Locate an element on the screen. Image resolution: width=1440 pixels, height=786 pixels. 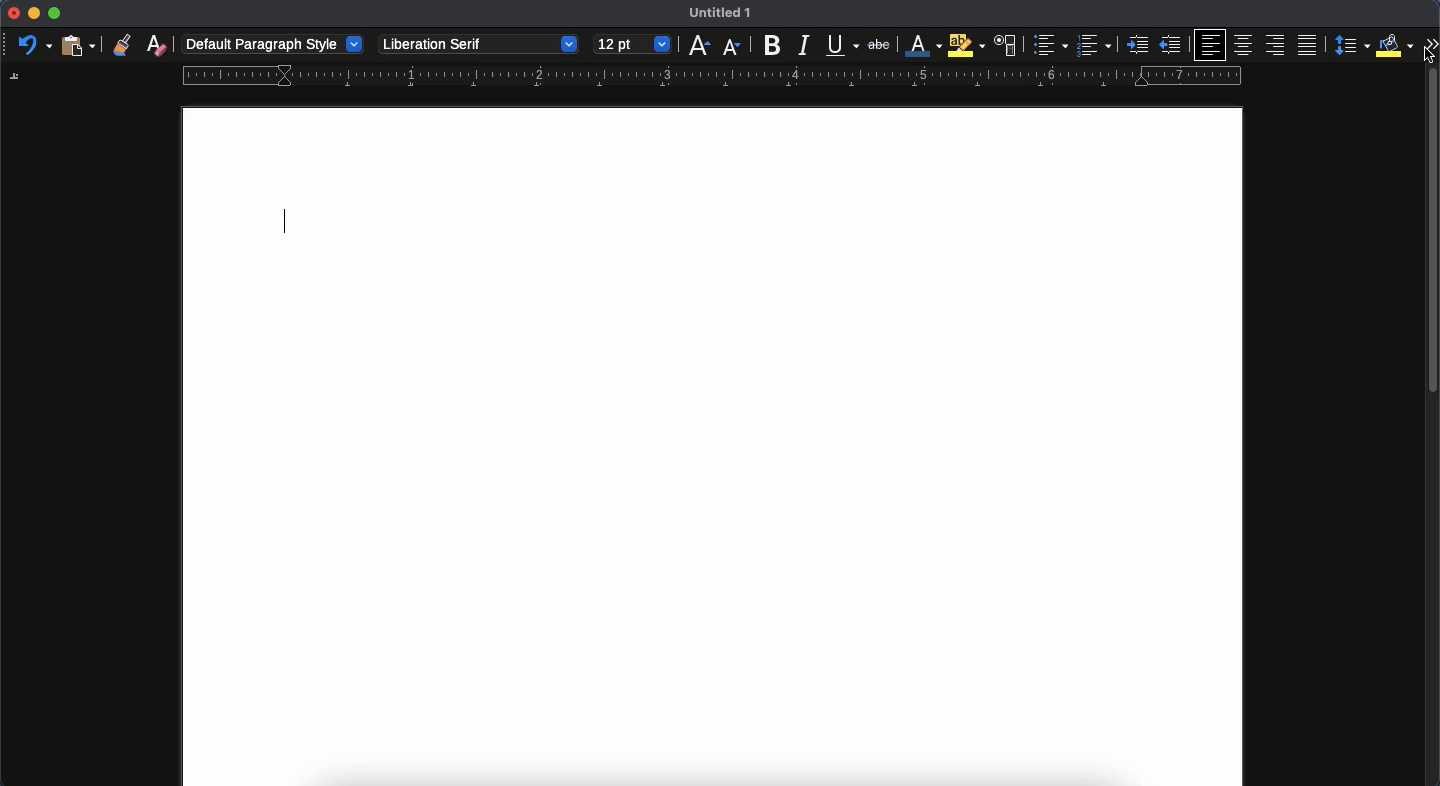
cursor is located at coordinates (1428, 58).